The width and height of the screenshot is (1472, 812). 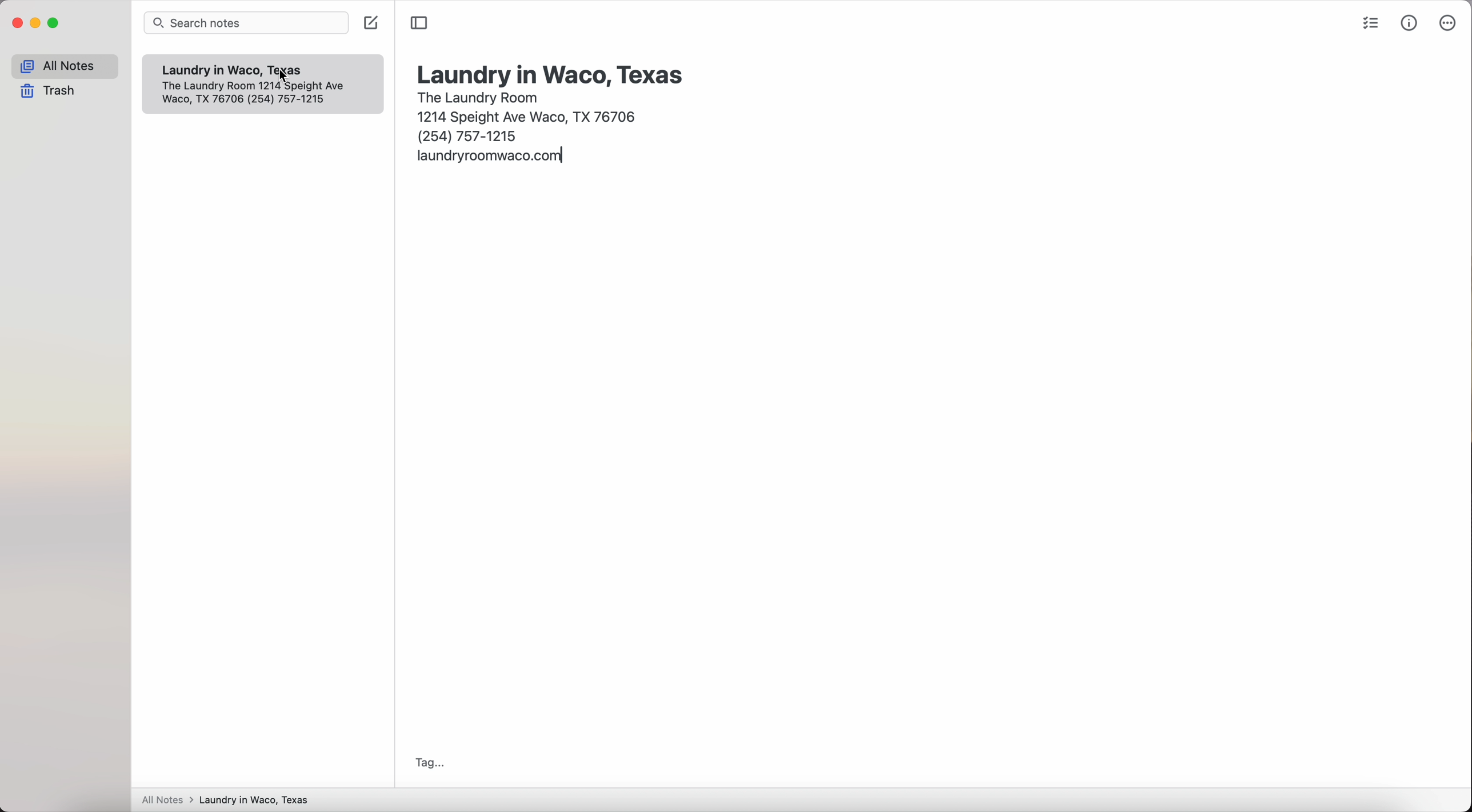 What do you see at coordinates (54, 23) in the screenshot?
I see `maximize app` at bounding box center [54, 23].